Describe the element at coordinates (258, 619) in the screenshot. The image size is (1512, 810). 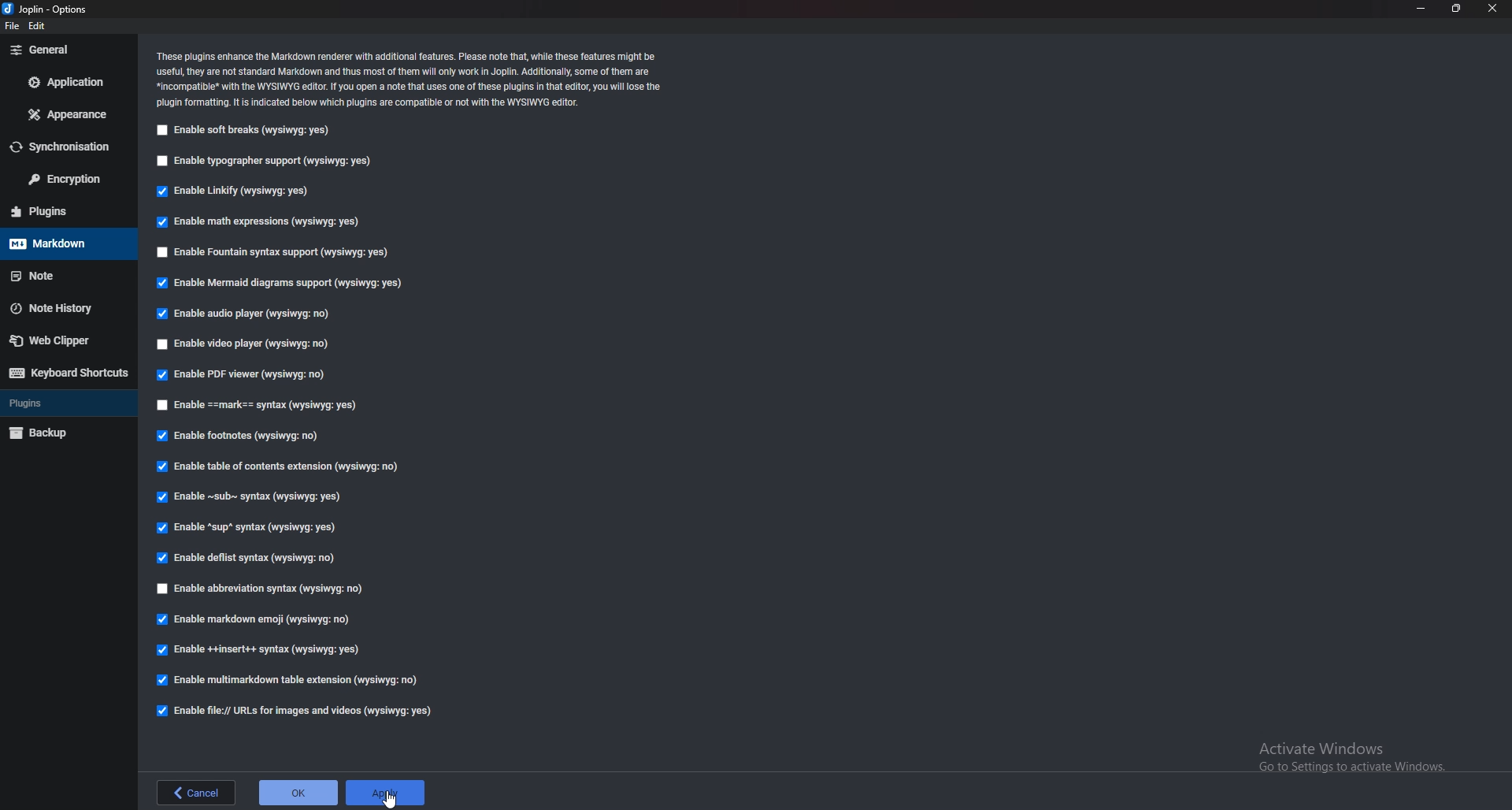
I see `Enable markdown emoji` at that location.